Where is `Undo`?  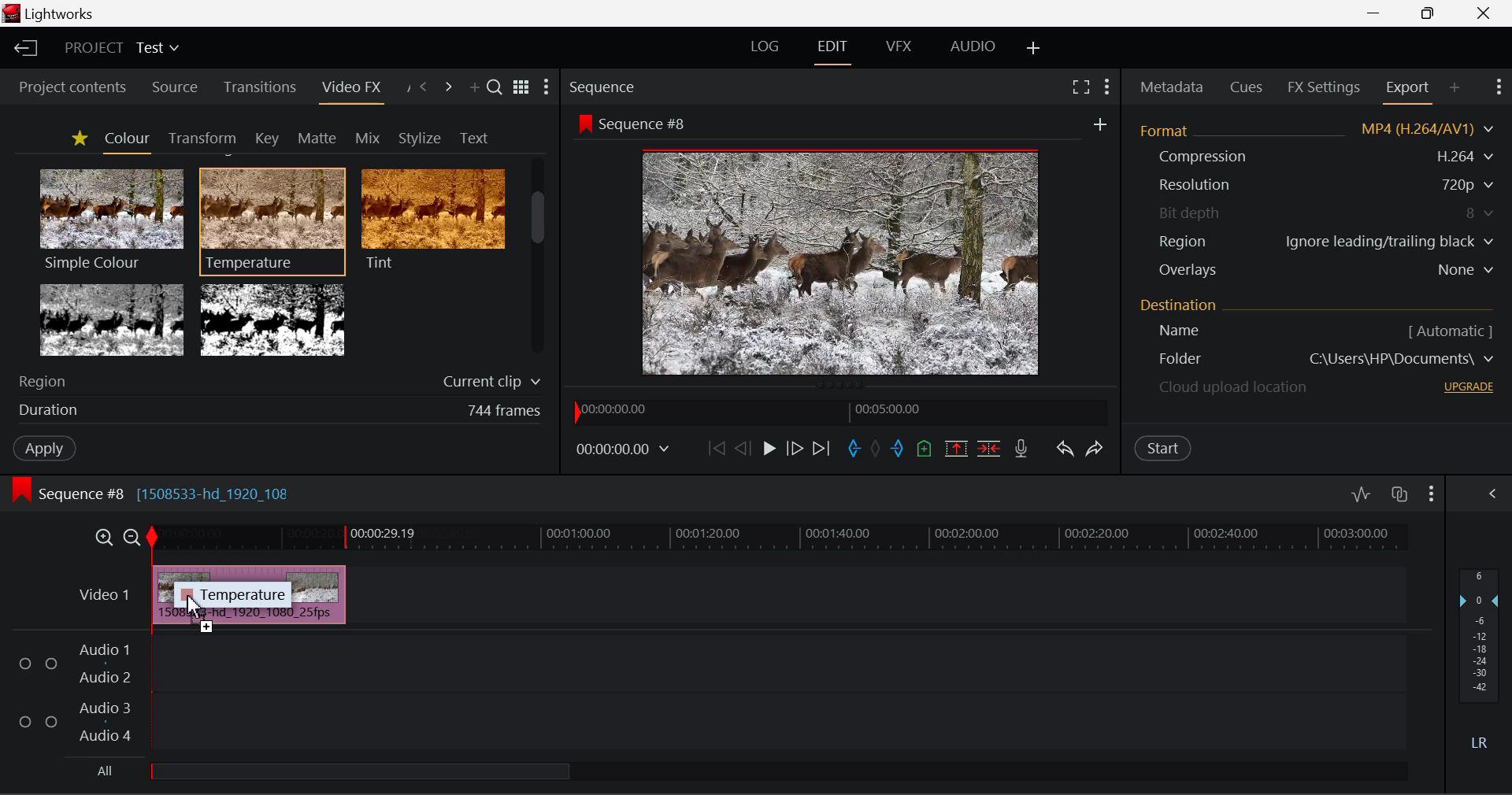 Undo is located at coordinates (1063, 448).